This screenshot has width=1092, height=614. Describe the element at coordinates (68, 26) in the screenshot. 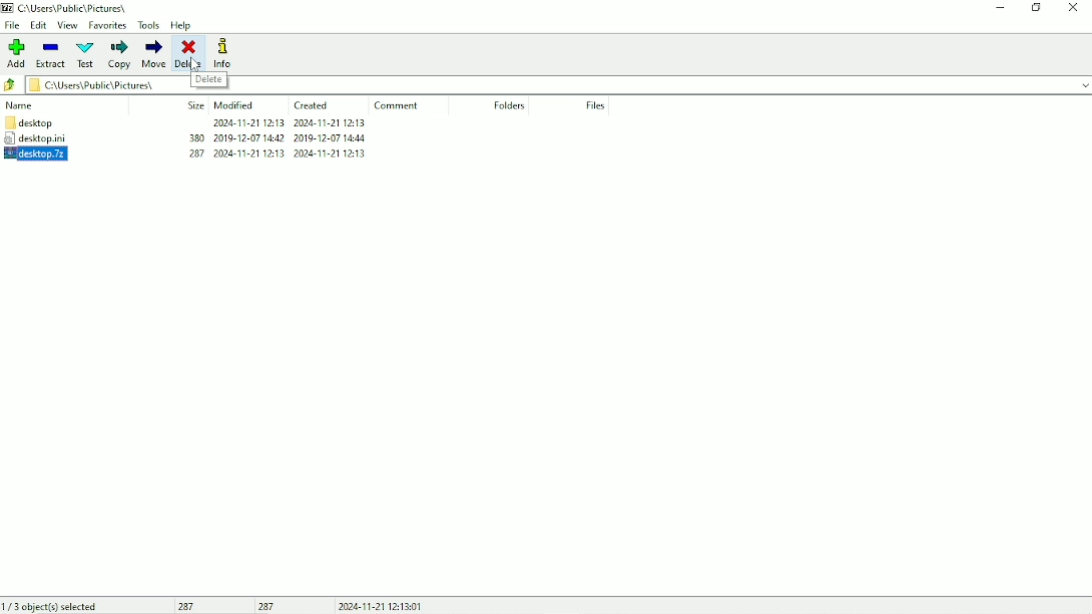

I see `View` at that location.